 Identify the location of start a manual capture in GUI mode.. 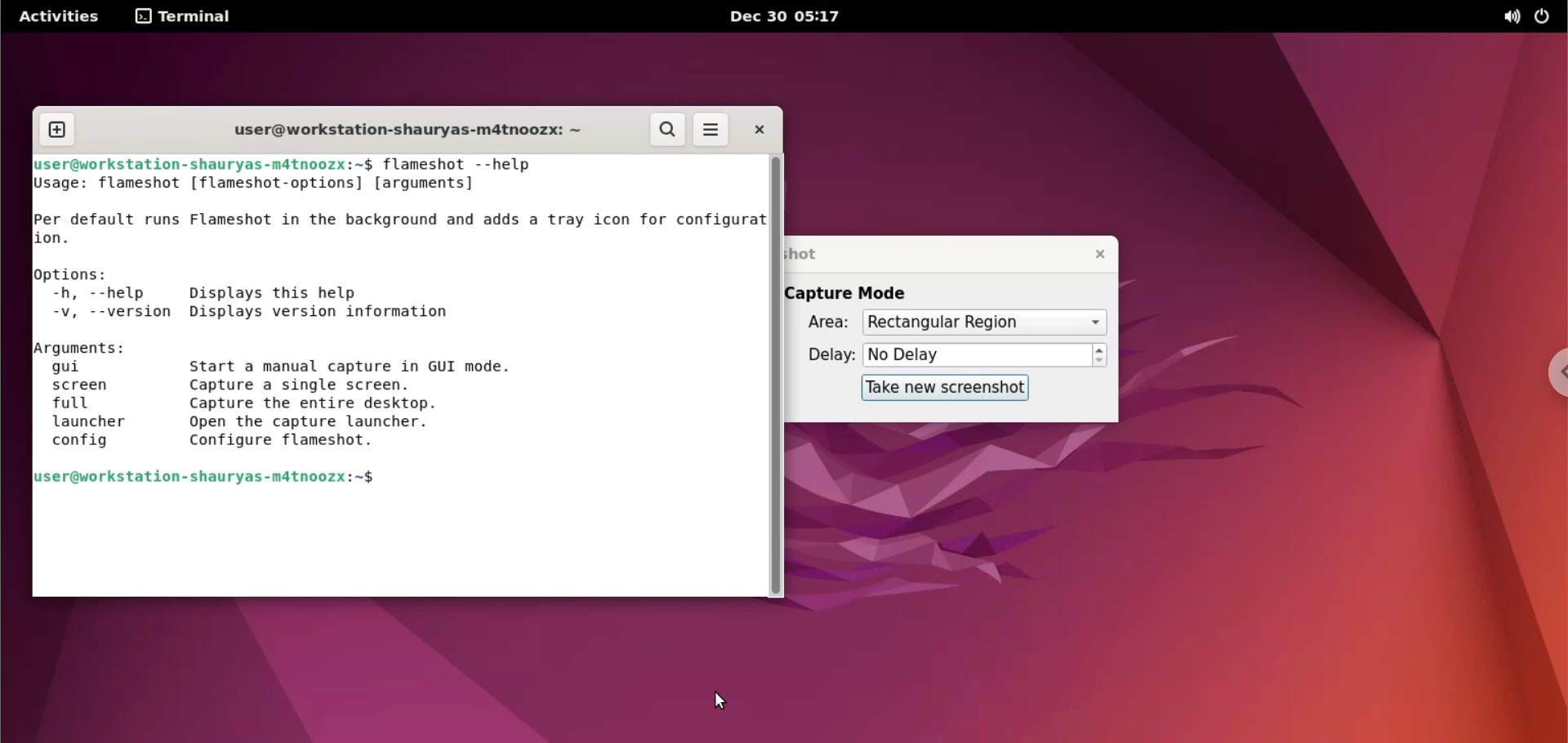
(370, 364).